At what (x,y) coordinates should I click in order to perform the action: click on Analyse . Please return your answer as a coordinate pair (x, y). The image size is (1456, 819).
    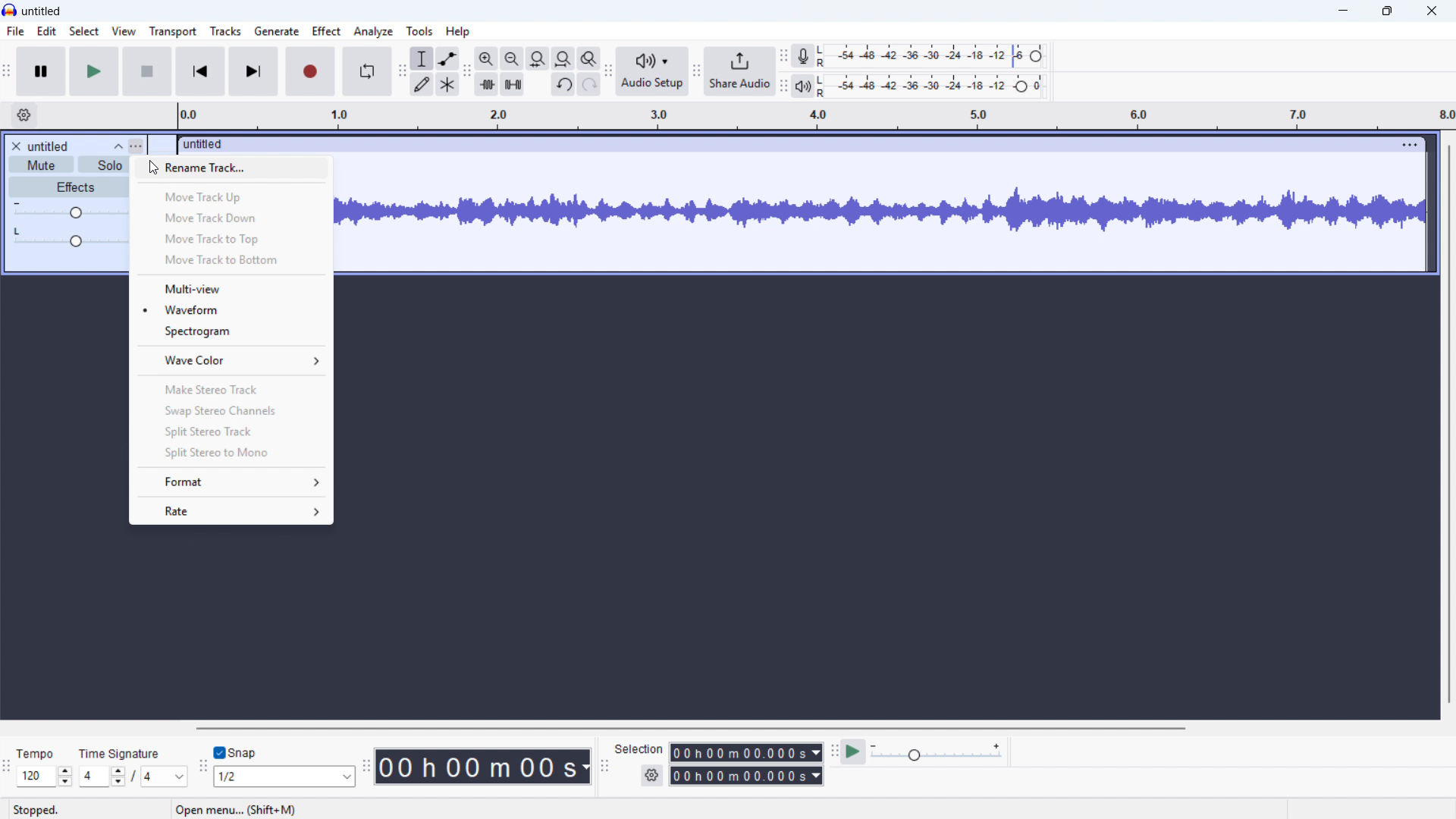
    Looking at the image, I should click on (372, 31).